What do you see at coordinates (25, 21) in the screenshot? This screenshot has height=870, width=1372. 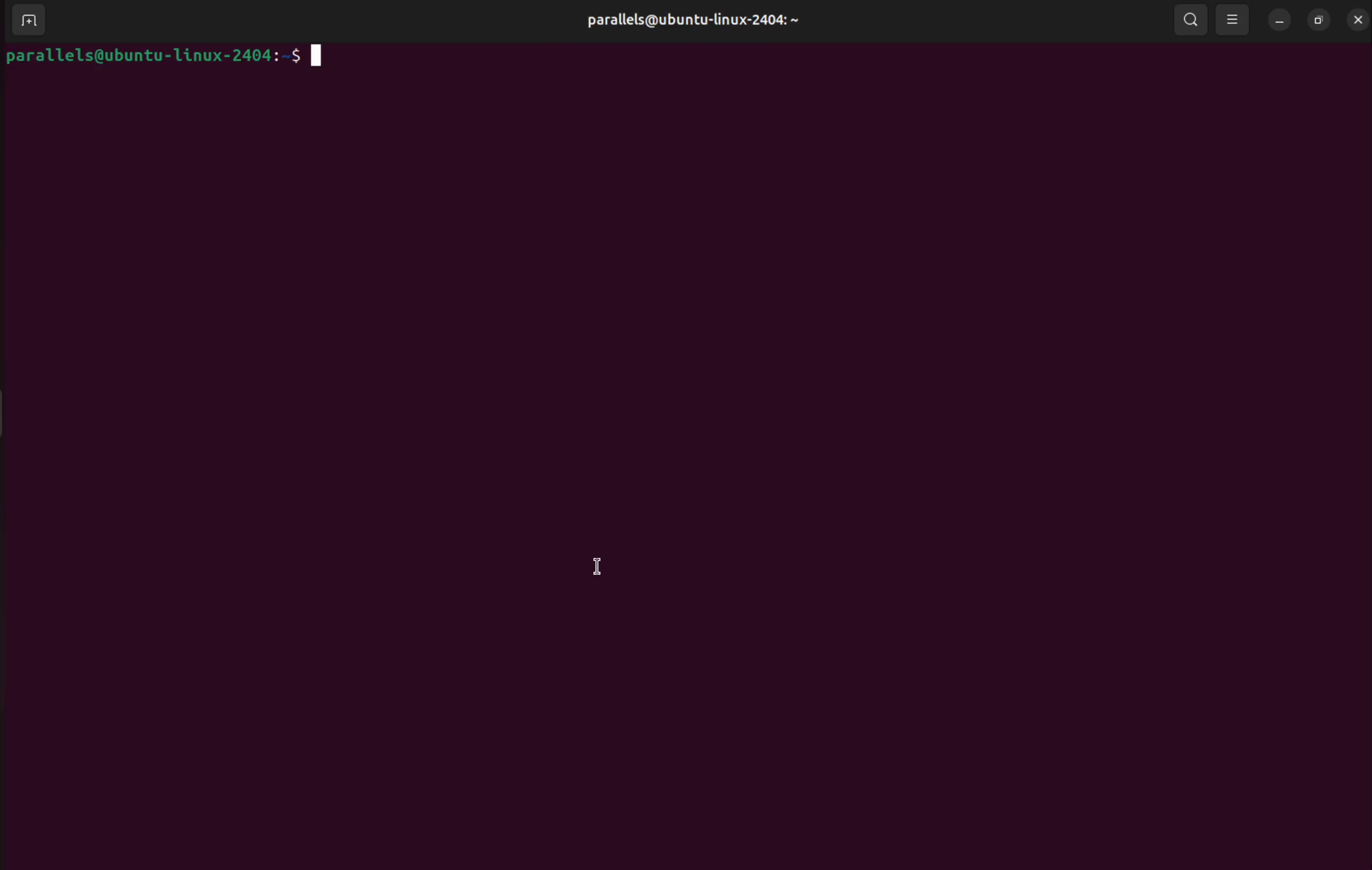 I see `add terminal window` at bounding box center [25, 21].